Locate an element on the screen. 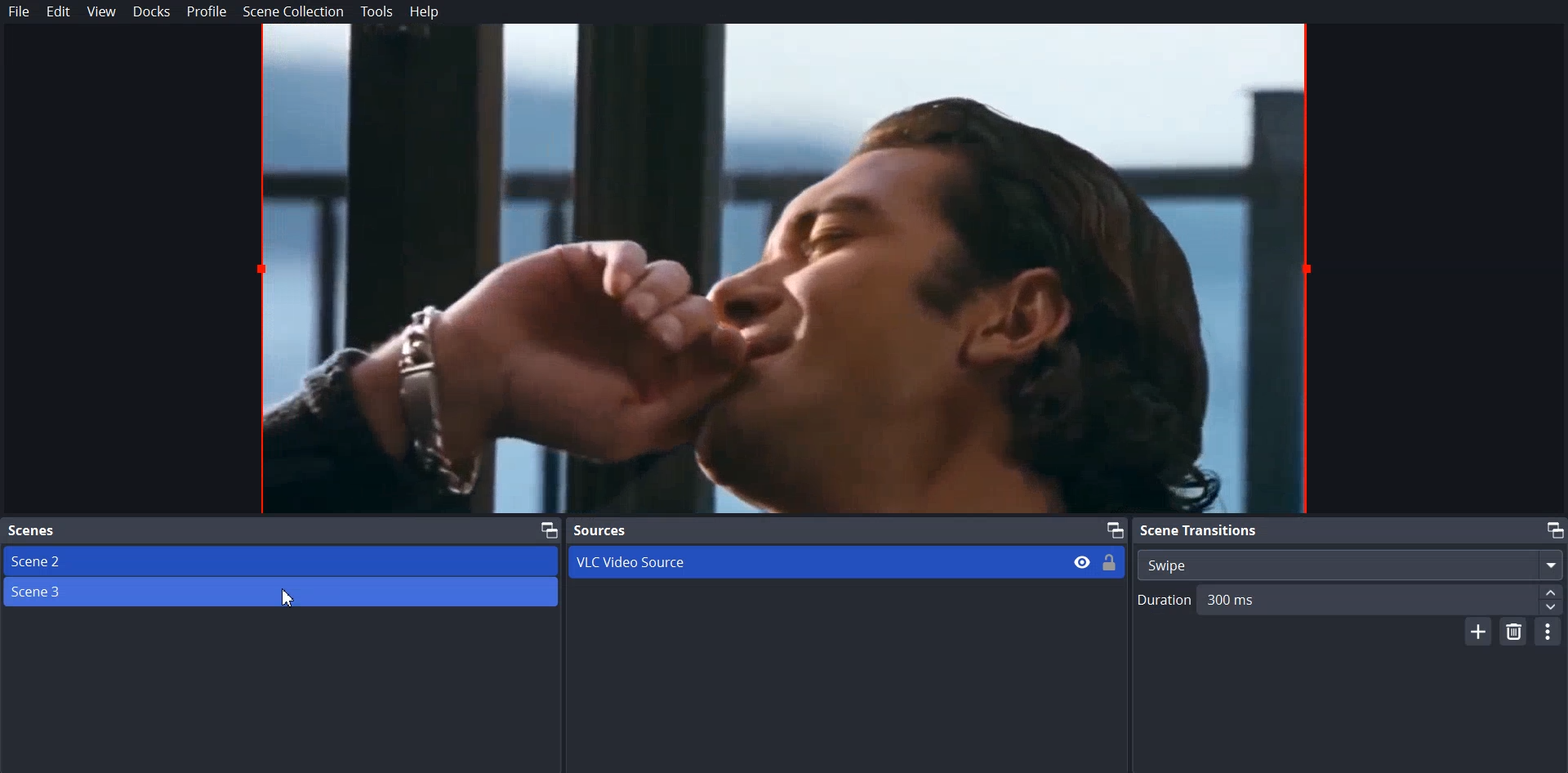 Image resolution: width=1568 pixels, height=773 pixels. Swipe is located at coordinates (1351, 564).